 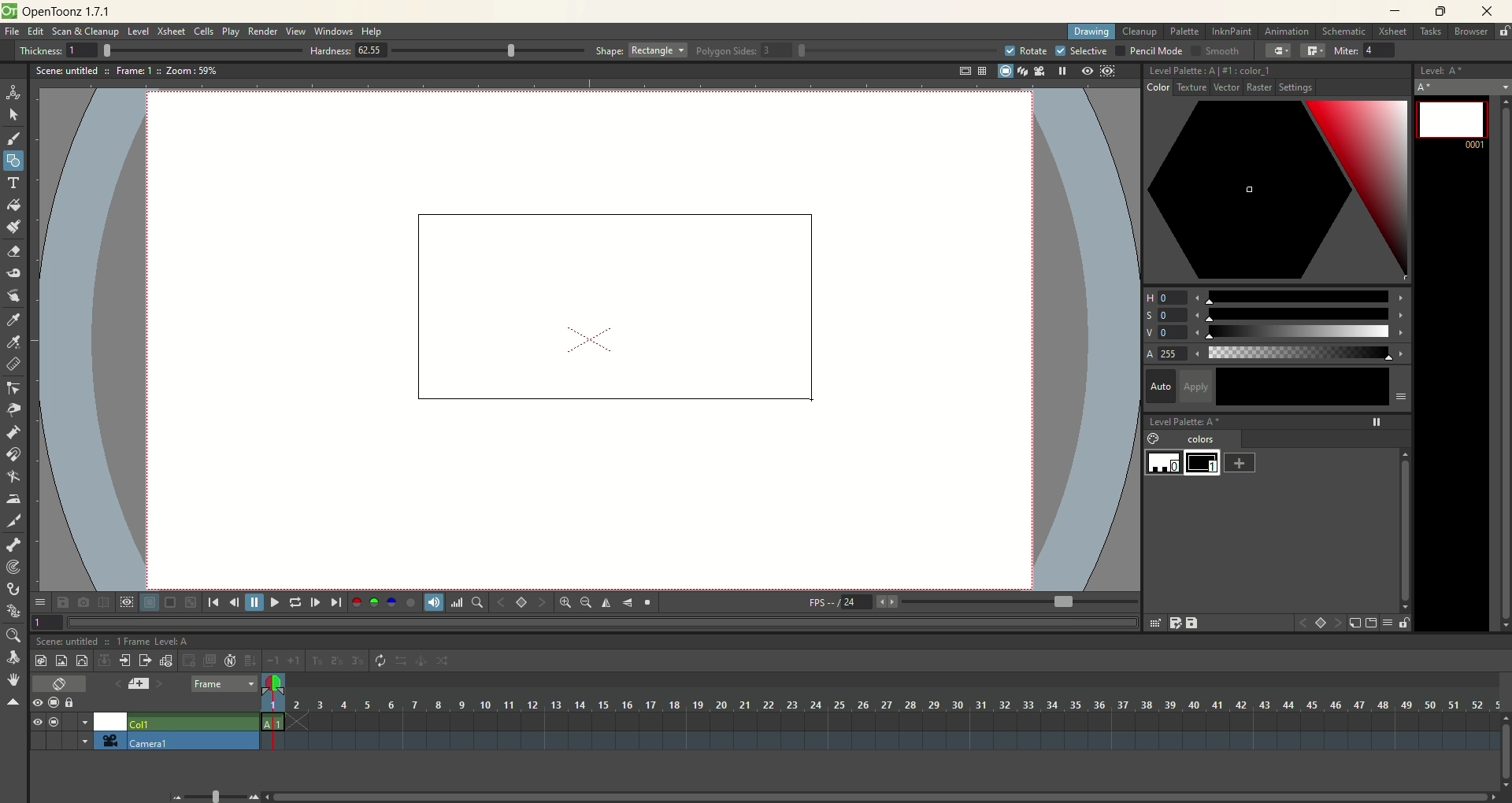 What do you see at coordinates (40, 661) in the screenshot?
I see `new toonz raster level` at bounding box center [40, 661].